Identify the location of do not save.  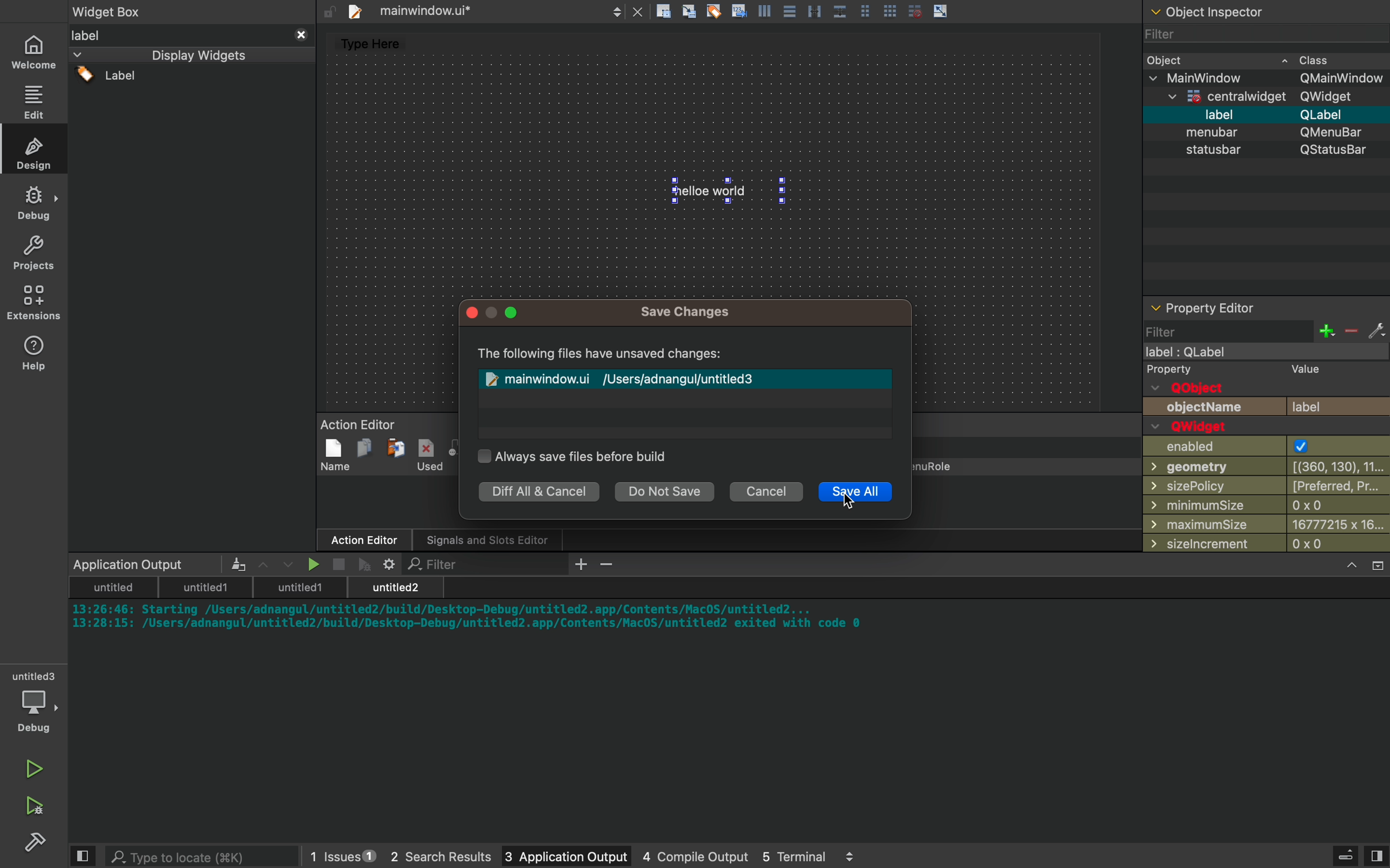
(664, 490).